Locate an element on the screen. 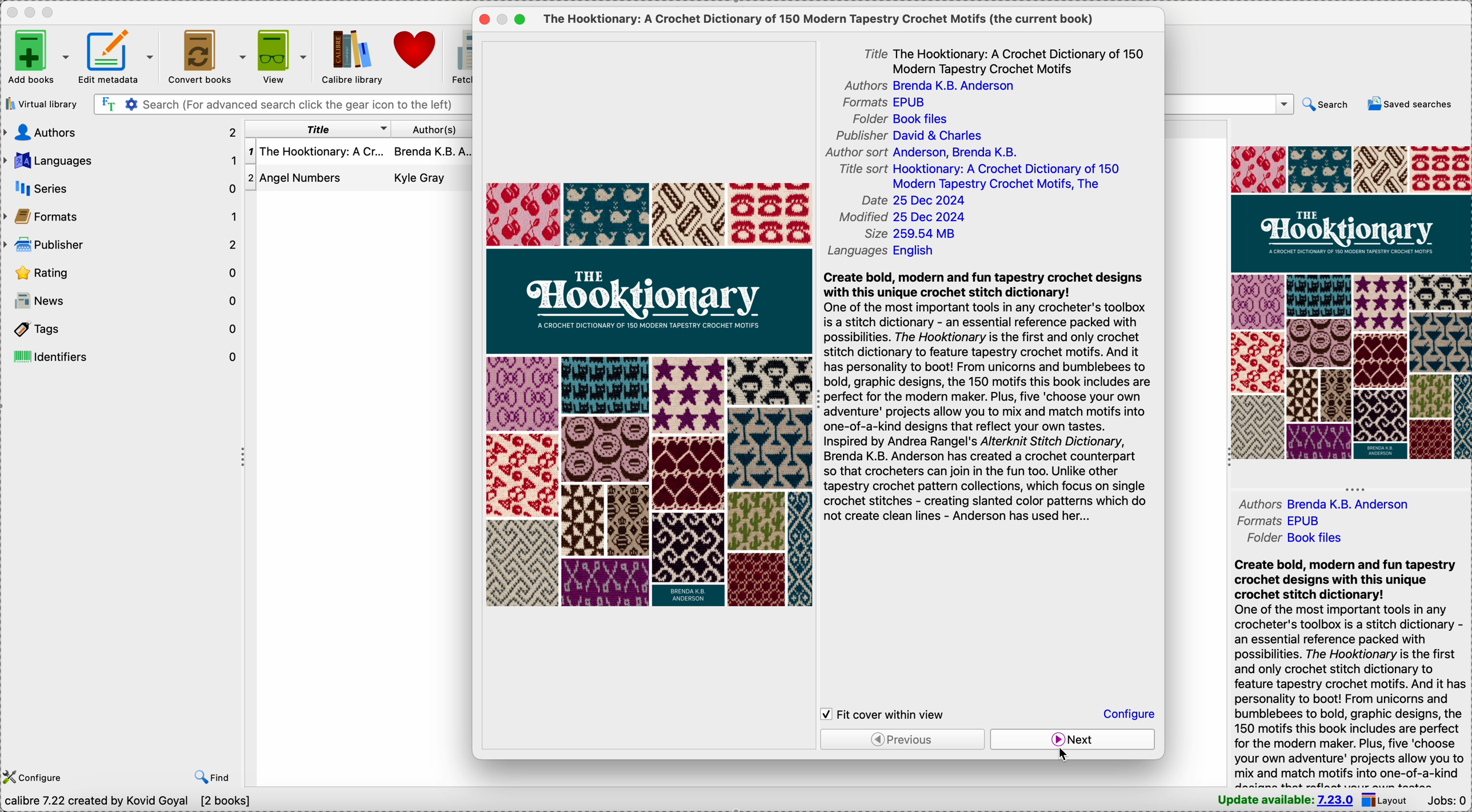 The height and width of the screenshot is (812, 1472). formats is located at coordinates (1275, 522).